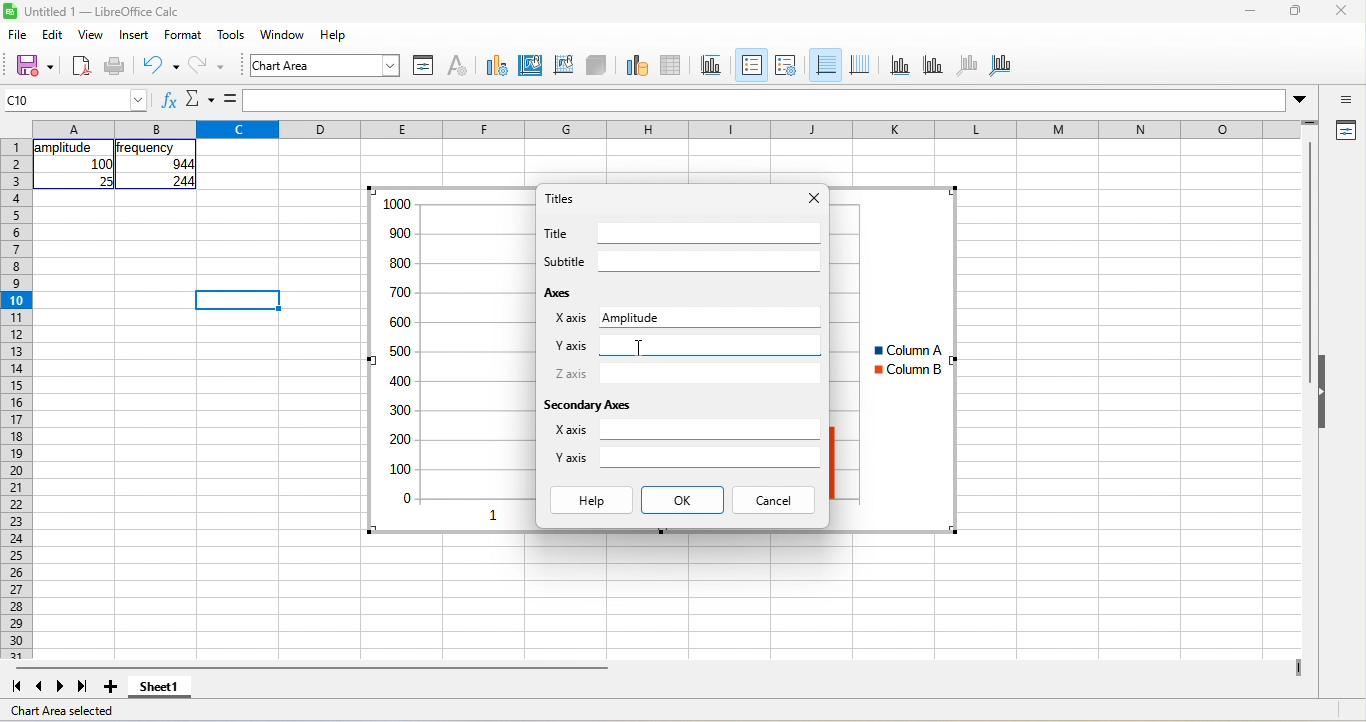 This screenshot has width=1366, height=722. Describe the element at coordinates (458, 66) in the screenshot. I see `character` at that location.